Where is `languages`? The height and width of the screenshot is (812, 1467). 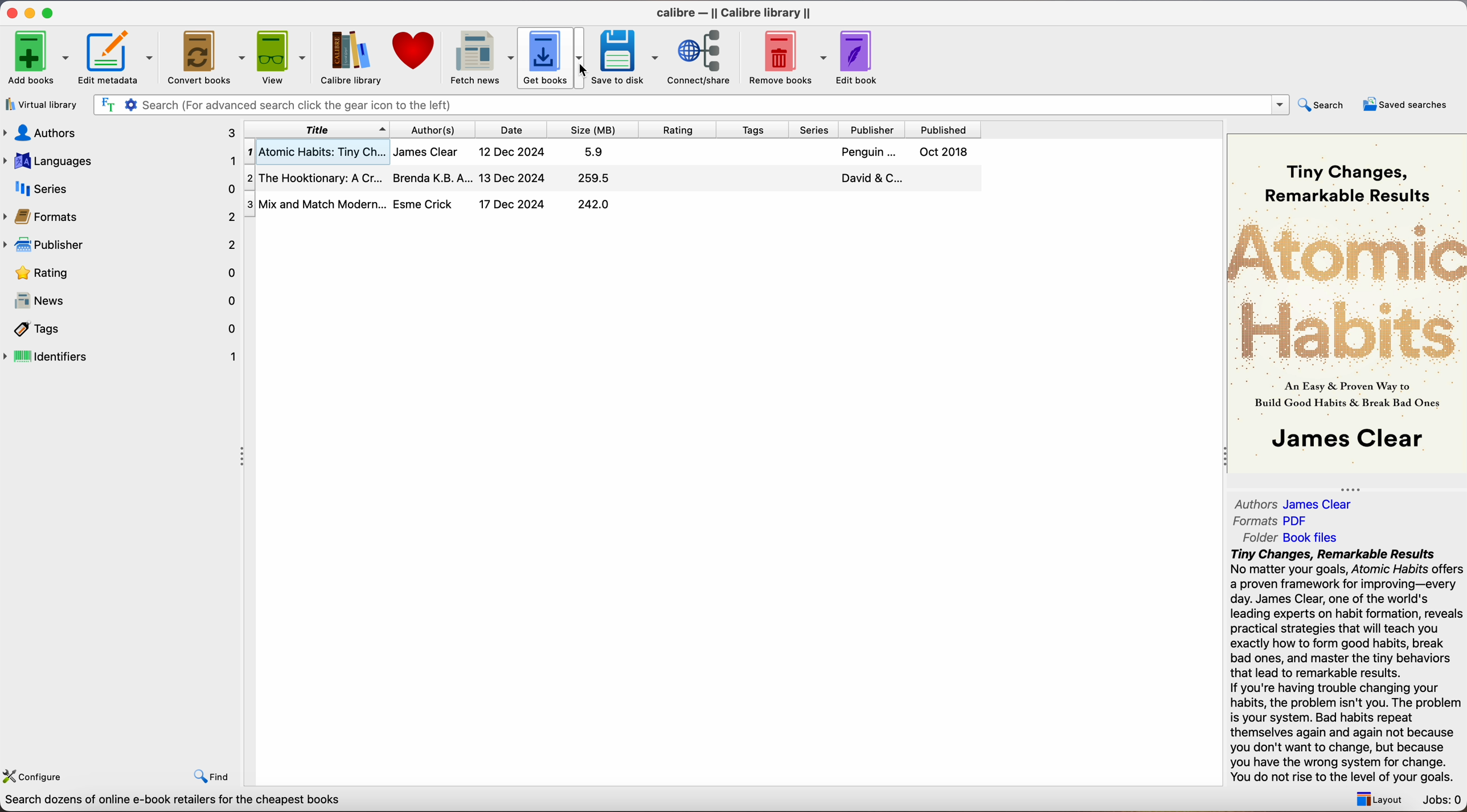
languages is located at coordinates (119, 160).